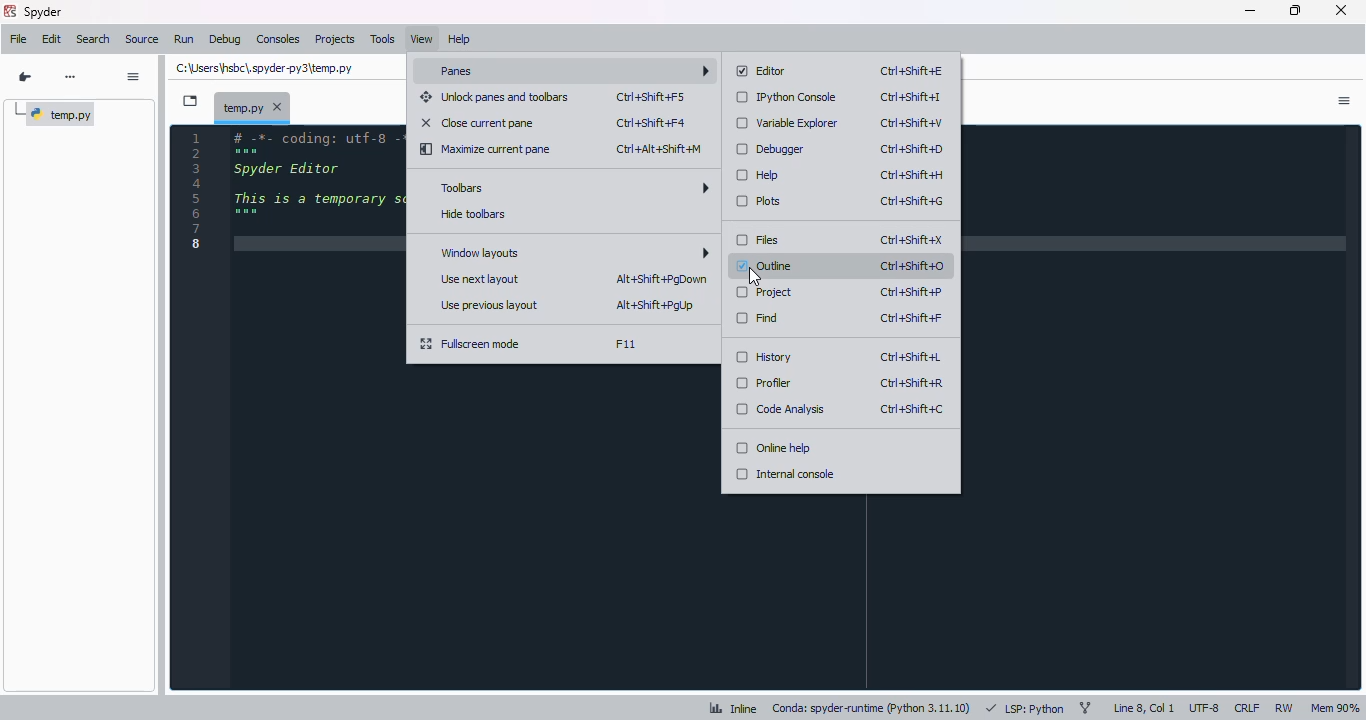  What do you see at coordinates (734, 708) in the screenshot?
I see `inline` at bounding box center [734, 708].